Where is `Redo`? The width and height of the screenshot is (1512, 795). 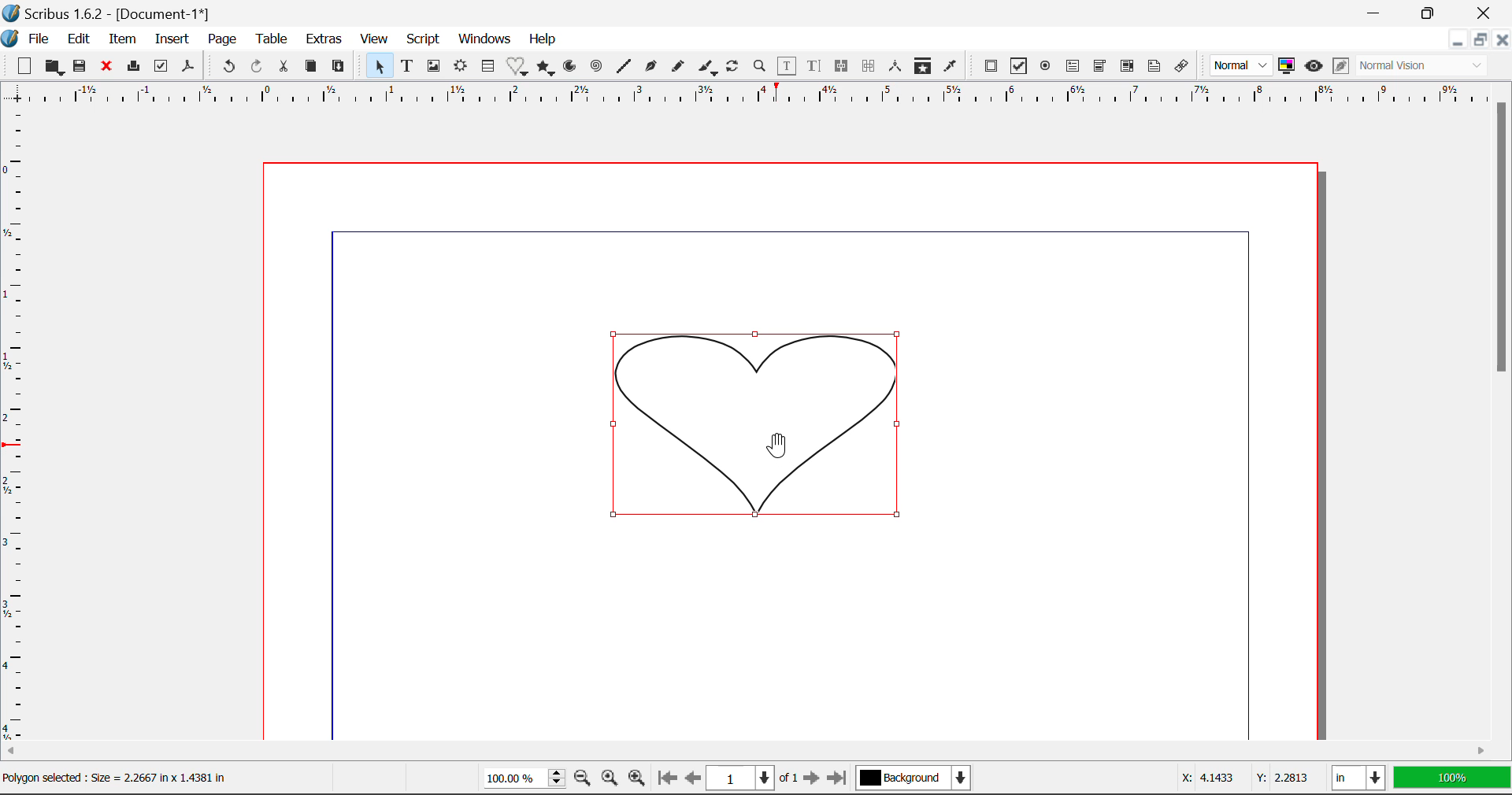 Redo is located at coordinates (256, 65).